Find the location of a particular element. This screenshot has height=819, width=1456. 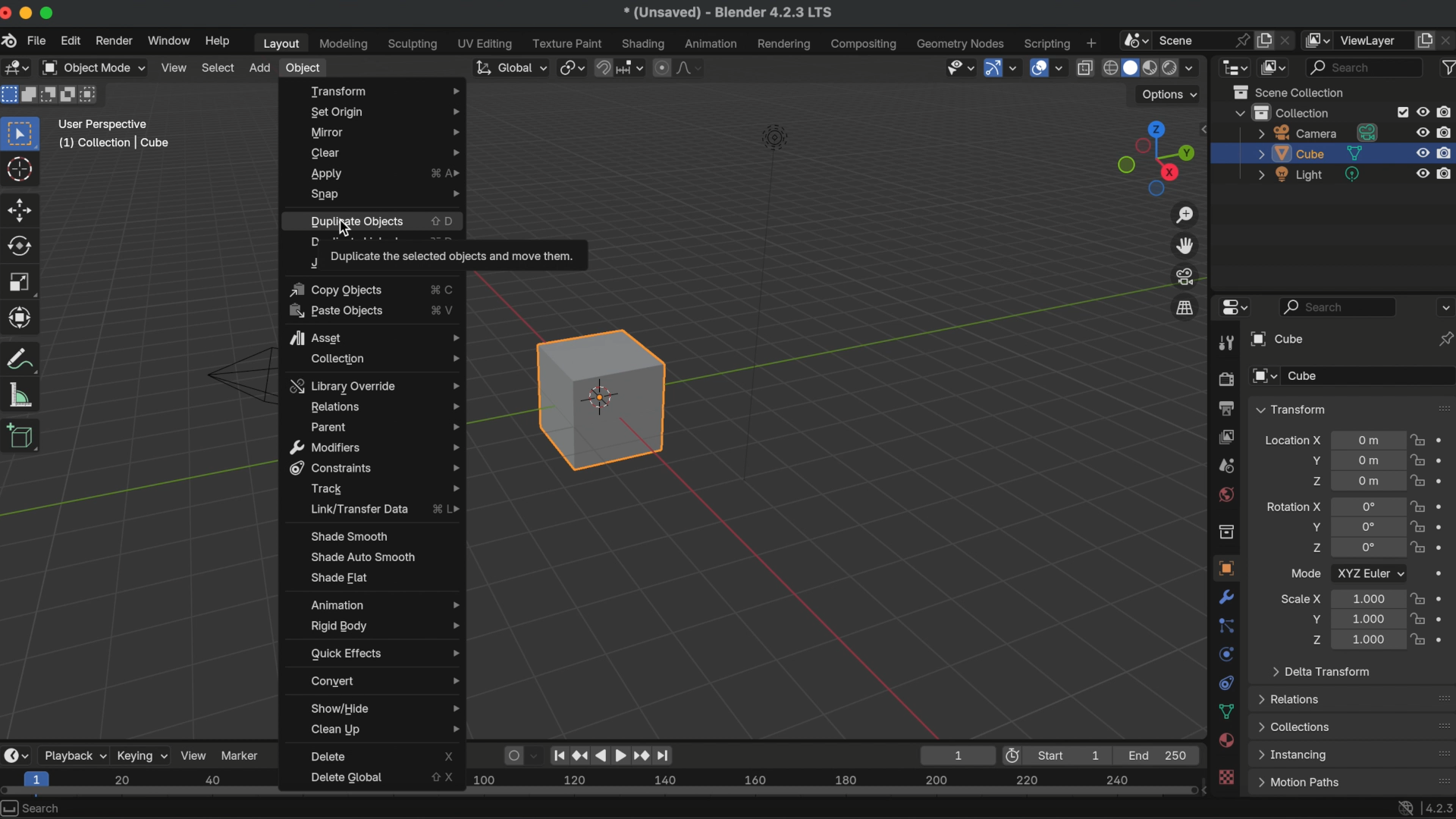

add cube is located at coordinates (22, 438).